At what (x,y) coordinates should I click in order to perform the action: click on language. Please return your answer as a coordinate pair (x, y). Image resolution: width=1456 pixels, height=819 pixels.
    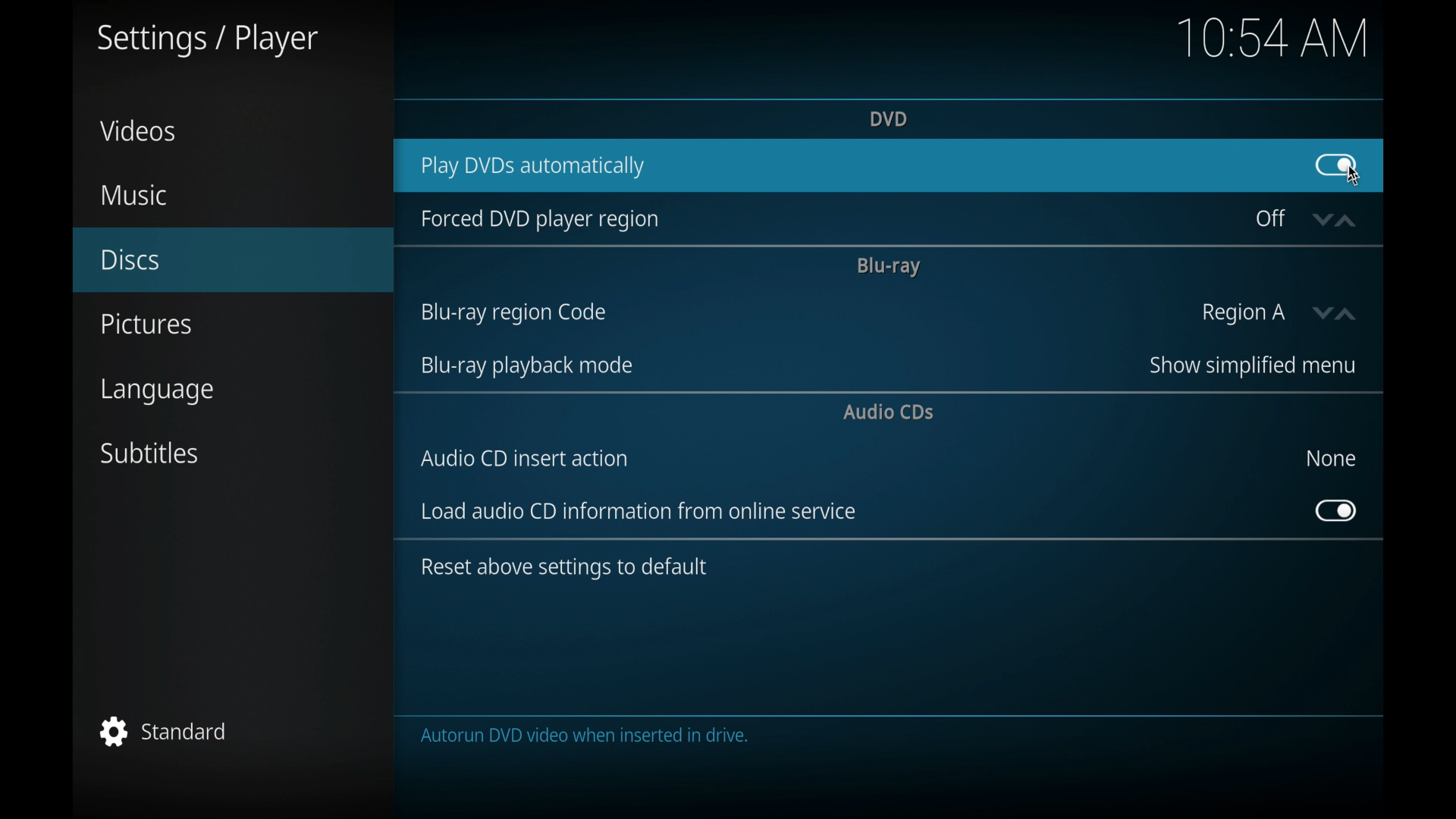
    Looking at the image, I should click on (159, 393).